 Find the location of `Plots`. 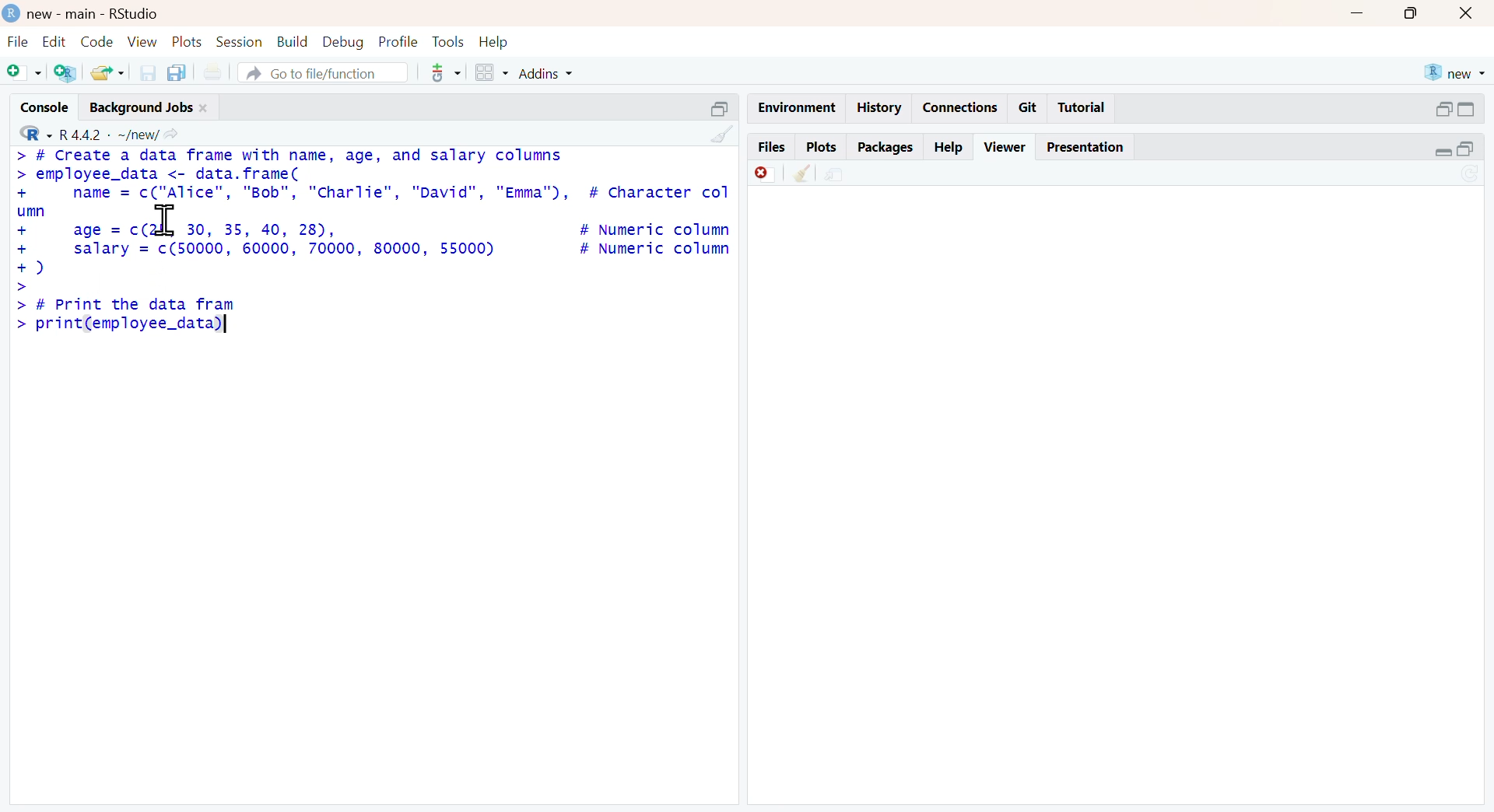

Plots is located at coordinates (186, 42).